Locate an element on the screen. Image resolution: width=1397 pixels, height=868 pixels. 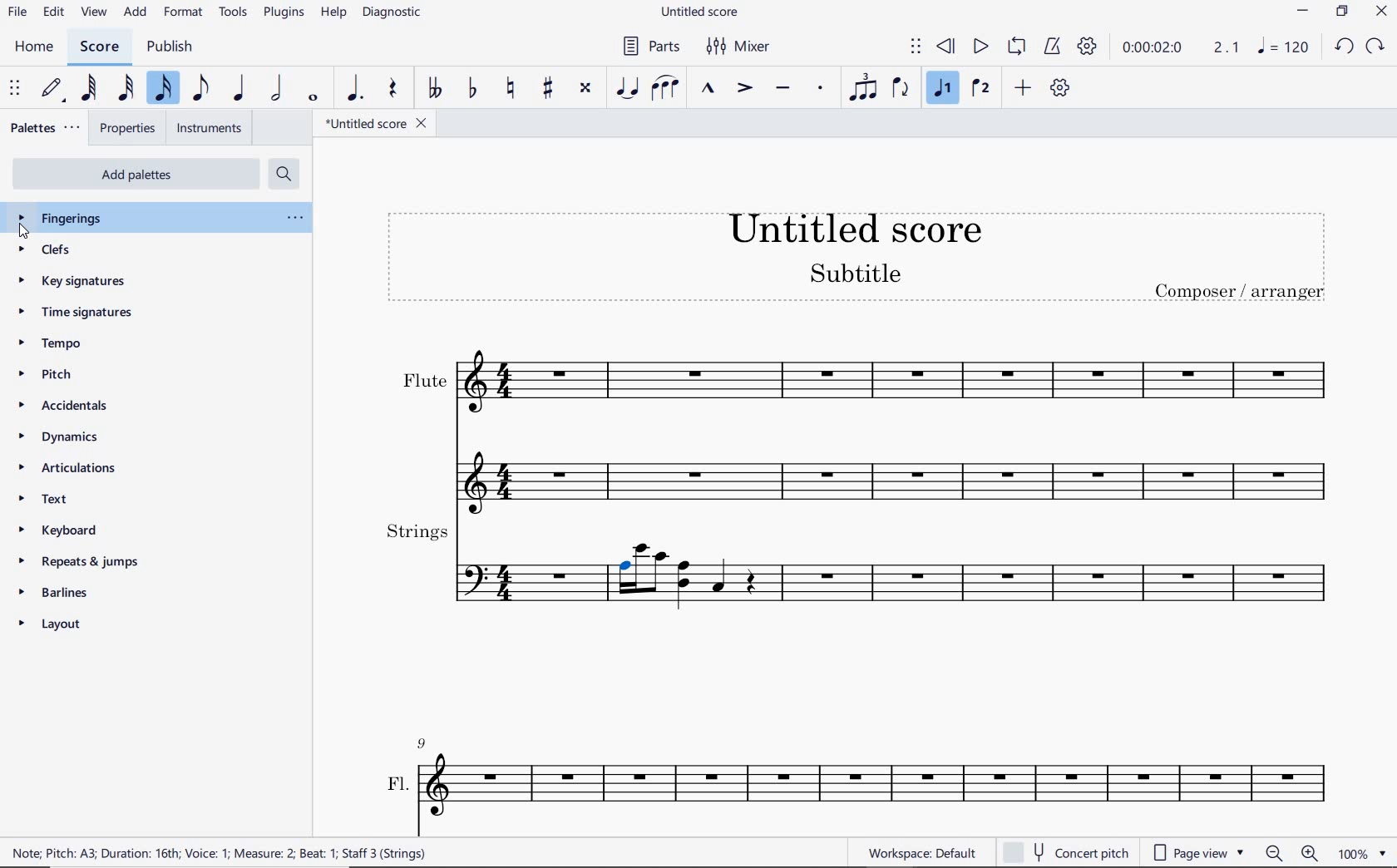
 is located at coordinates (485, 571).